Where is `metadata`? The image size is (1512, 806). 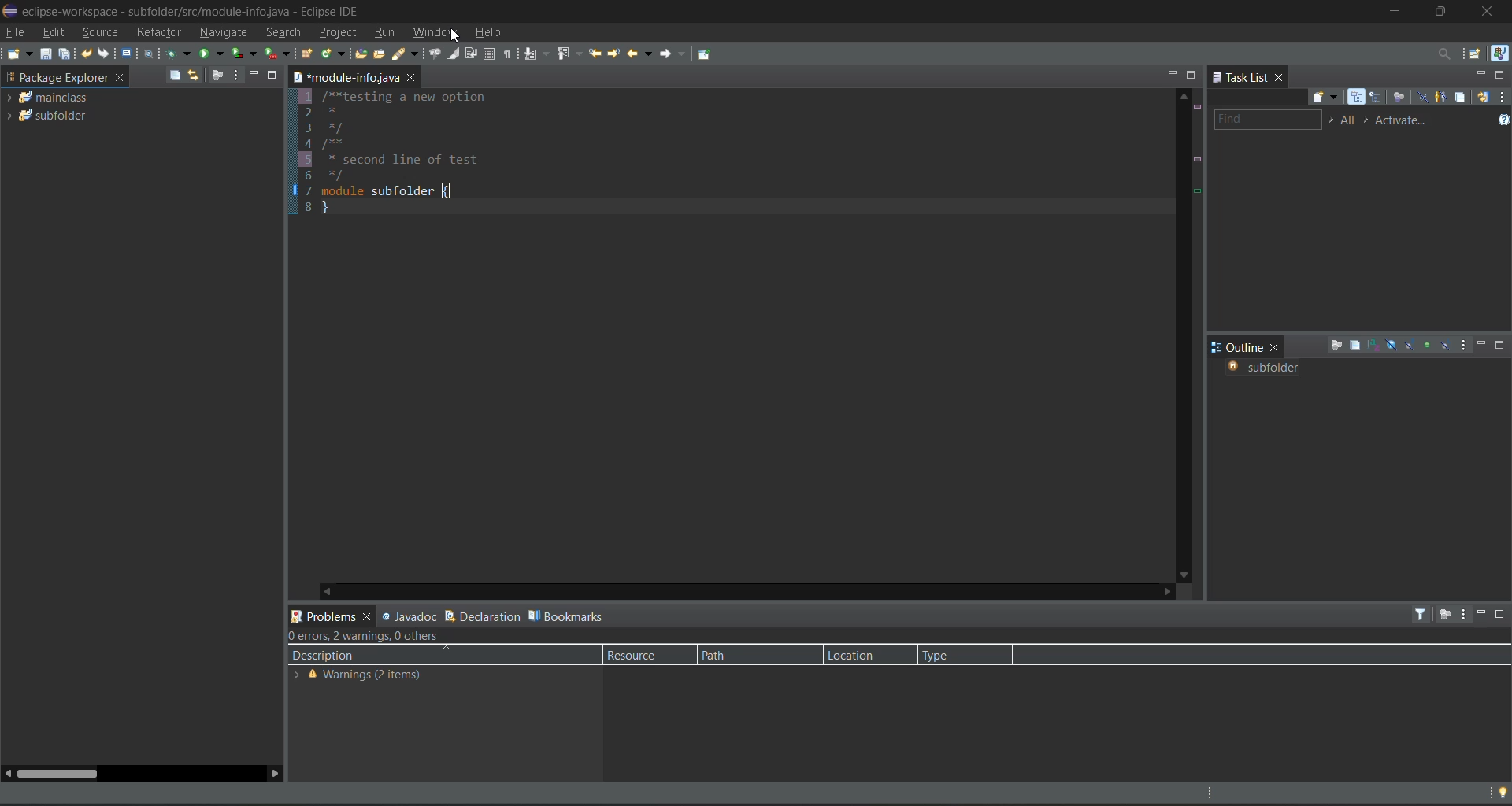
metadata is located at coordinates (368, 638).